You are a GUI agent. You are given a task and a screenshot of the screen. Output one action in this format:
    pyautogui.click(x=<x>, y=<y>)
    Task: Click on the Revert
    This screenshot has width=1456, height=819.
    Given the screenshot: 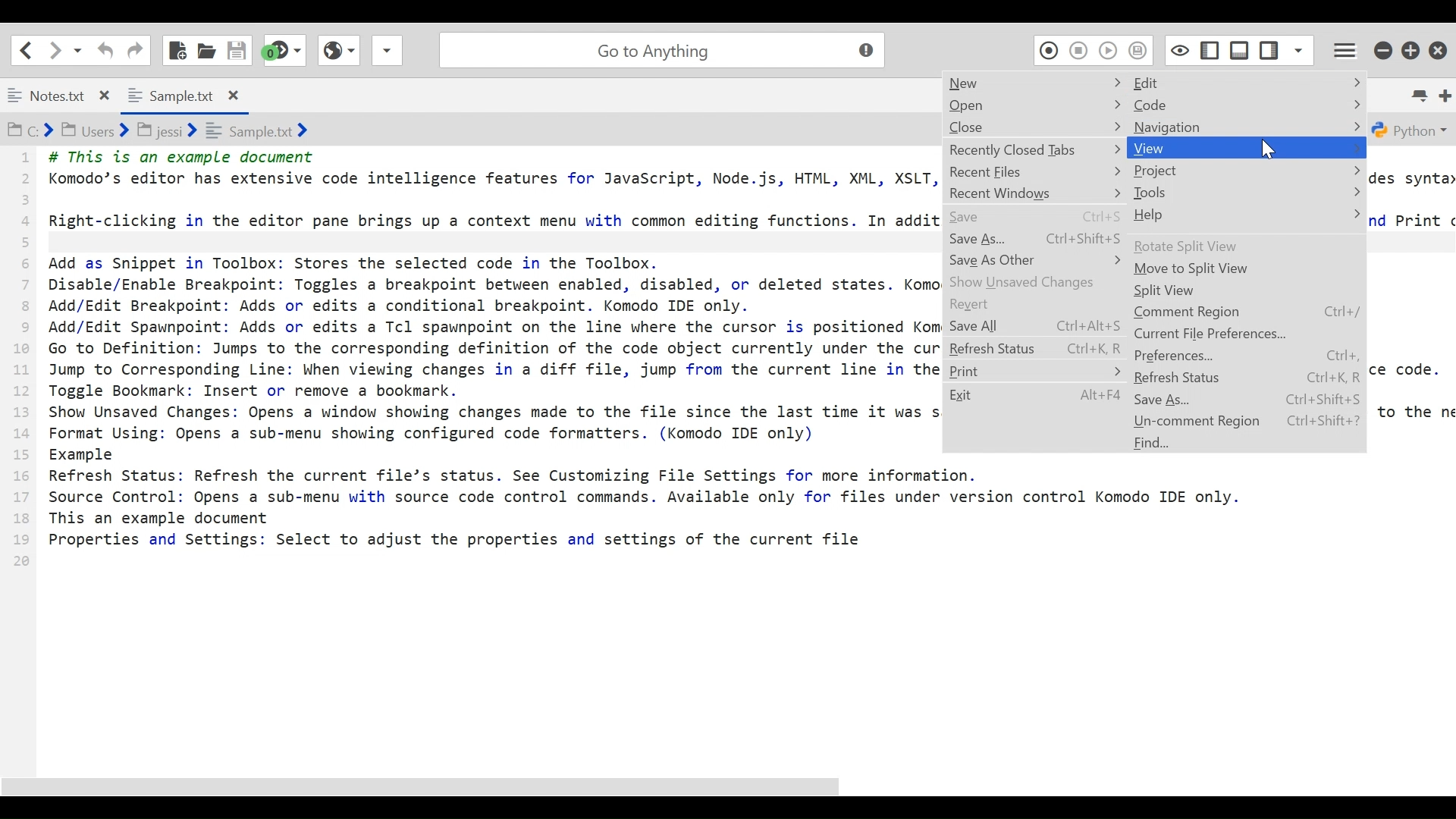 What is the action you would take?
    pyautogui.click(x=1037, y=304)
    